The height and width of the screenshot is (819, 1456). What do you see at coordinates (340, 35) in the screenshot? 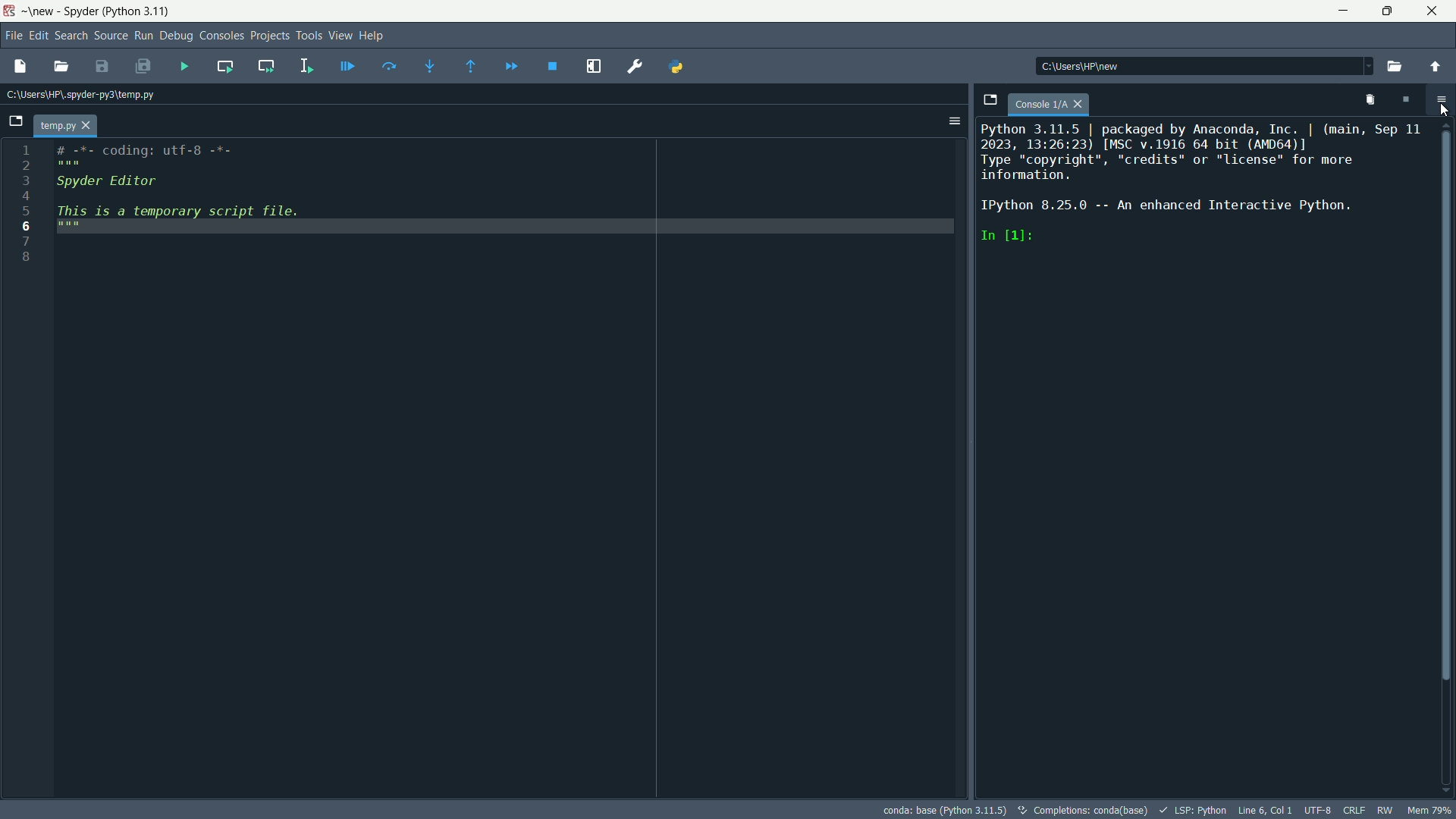
I see `view menu` at bounding box center [340, 35].